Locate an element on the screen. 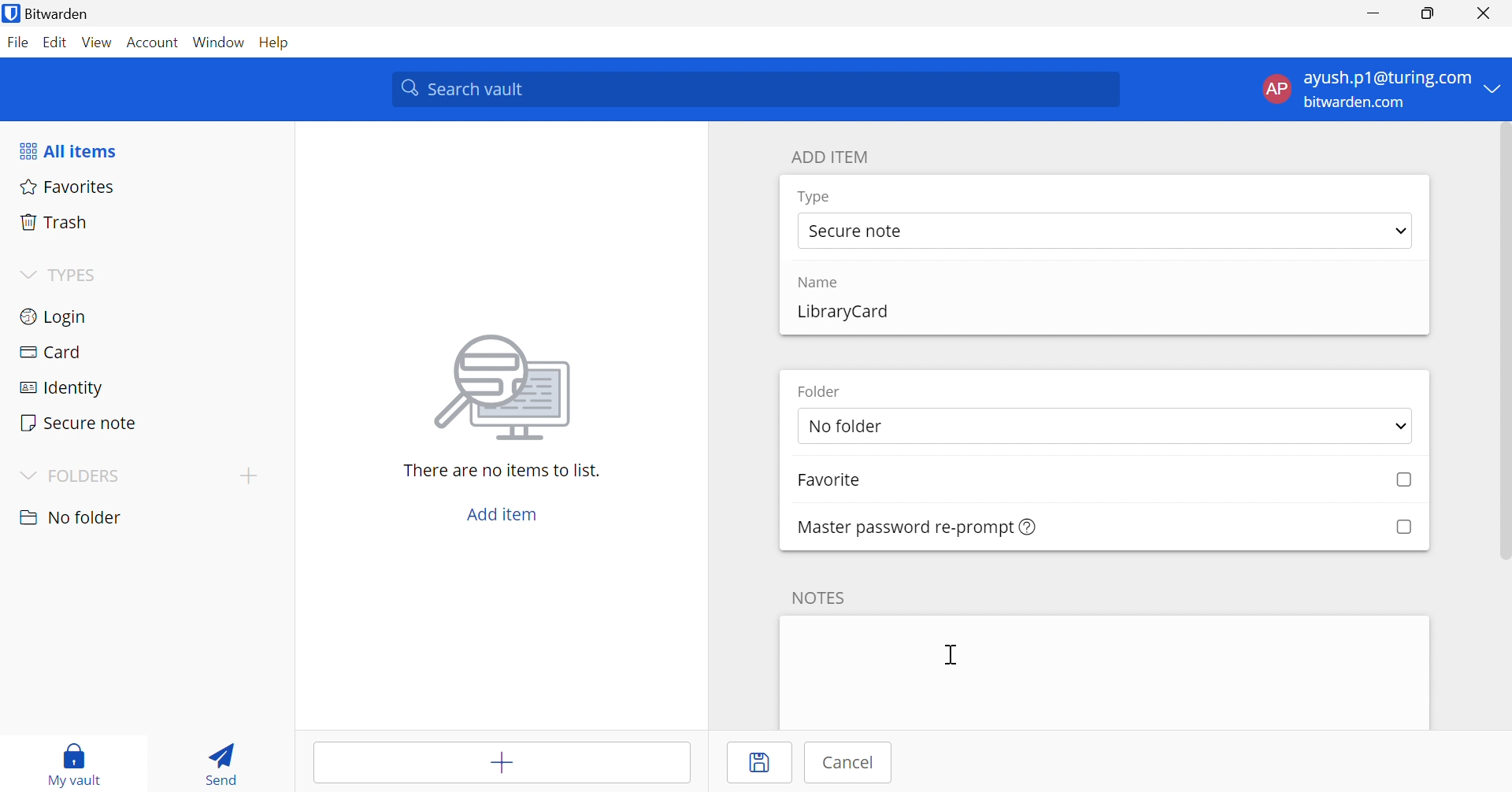 The width and height of the screenshot is (1512, 792). Add item is located at coordinates (502, 516).